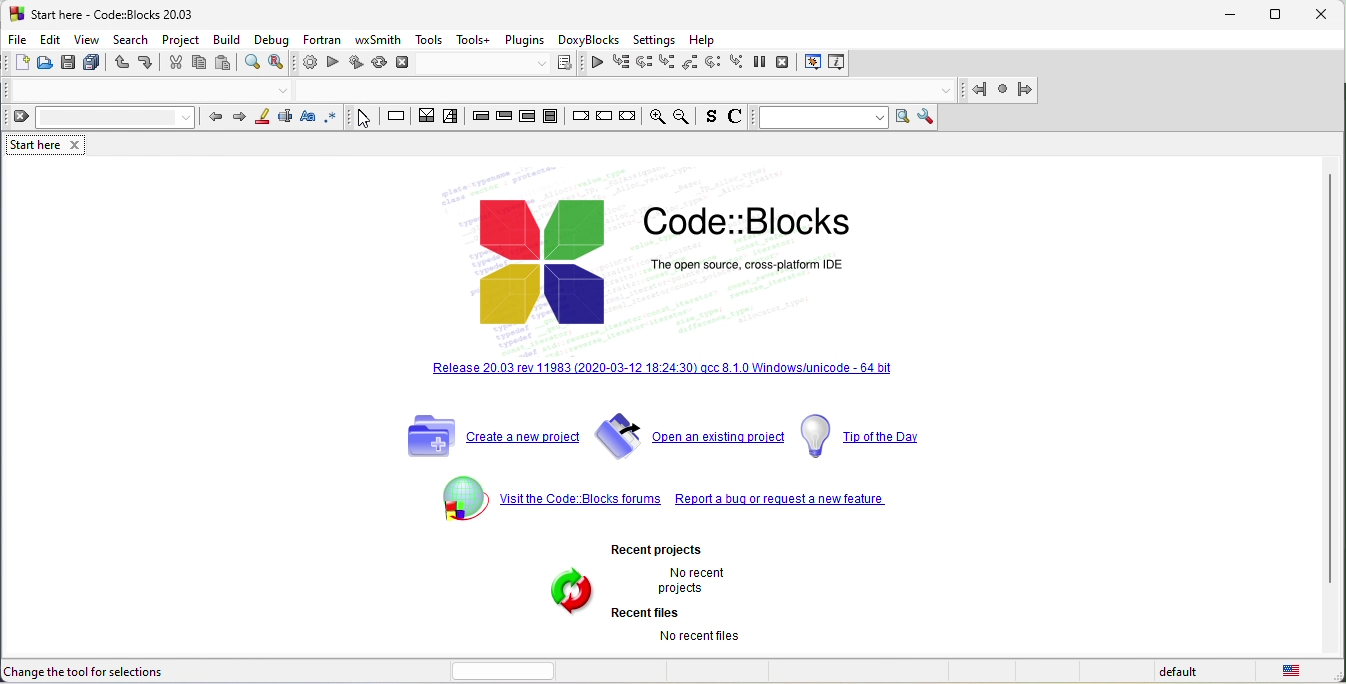  What do you see at coordinates (254, 66) in the screenshot?
I see `find` at bounding box center [254, 66].